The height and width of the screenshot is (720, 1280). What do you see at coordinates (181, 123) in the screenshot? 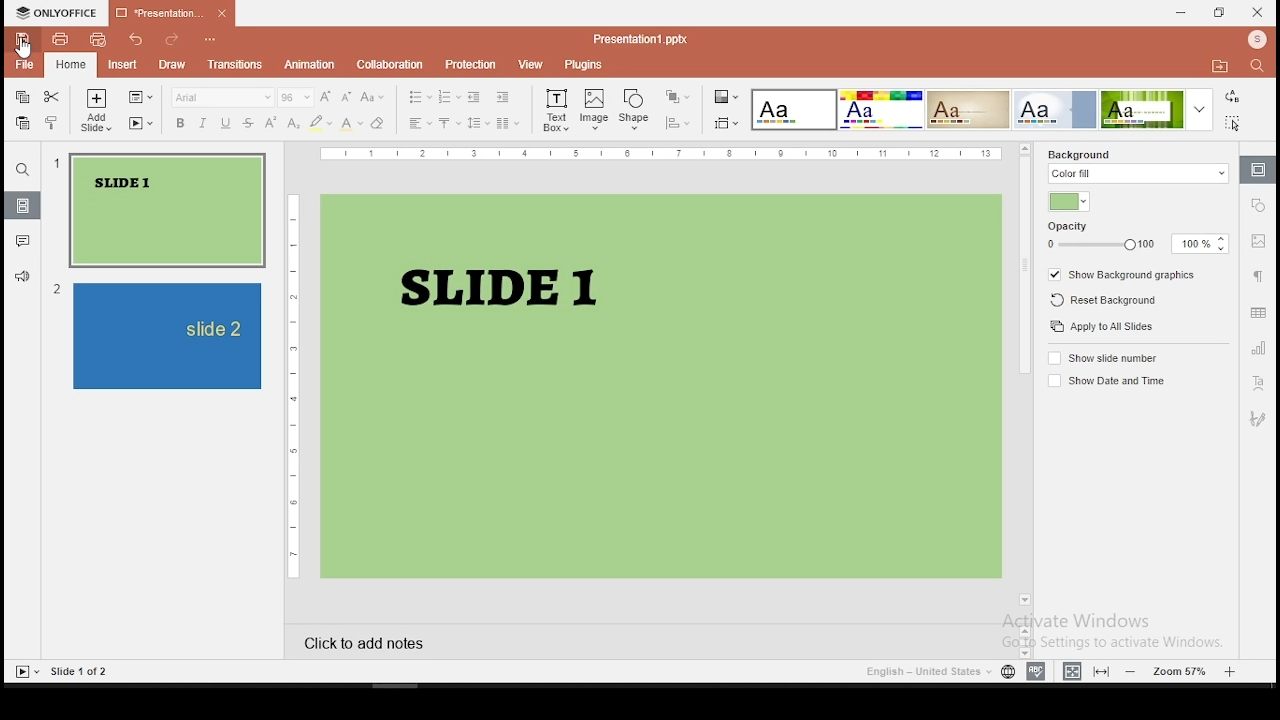
I see `bold` at bounding box center [181, 123].